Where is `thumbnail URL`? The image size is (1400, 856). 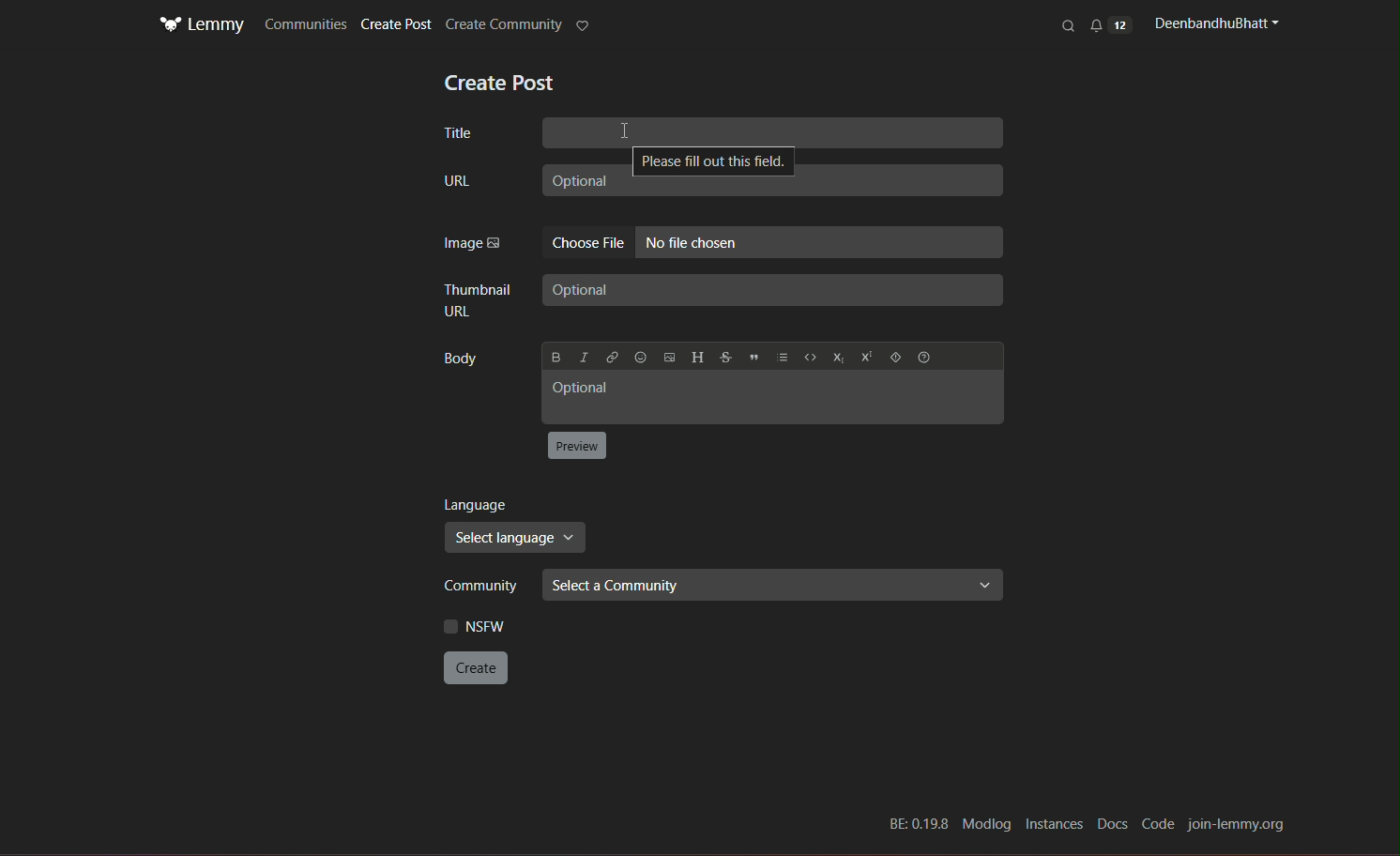
thumbnail URL is located at coordinates (479, 298).